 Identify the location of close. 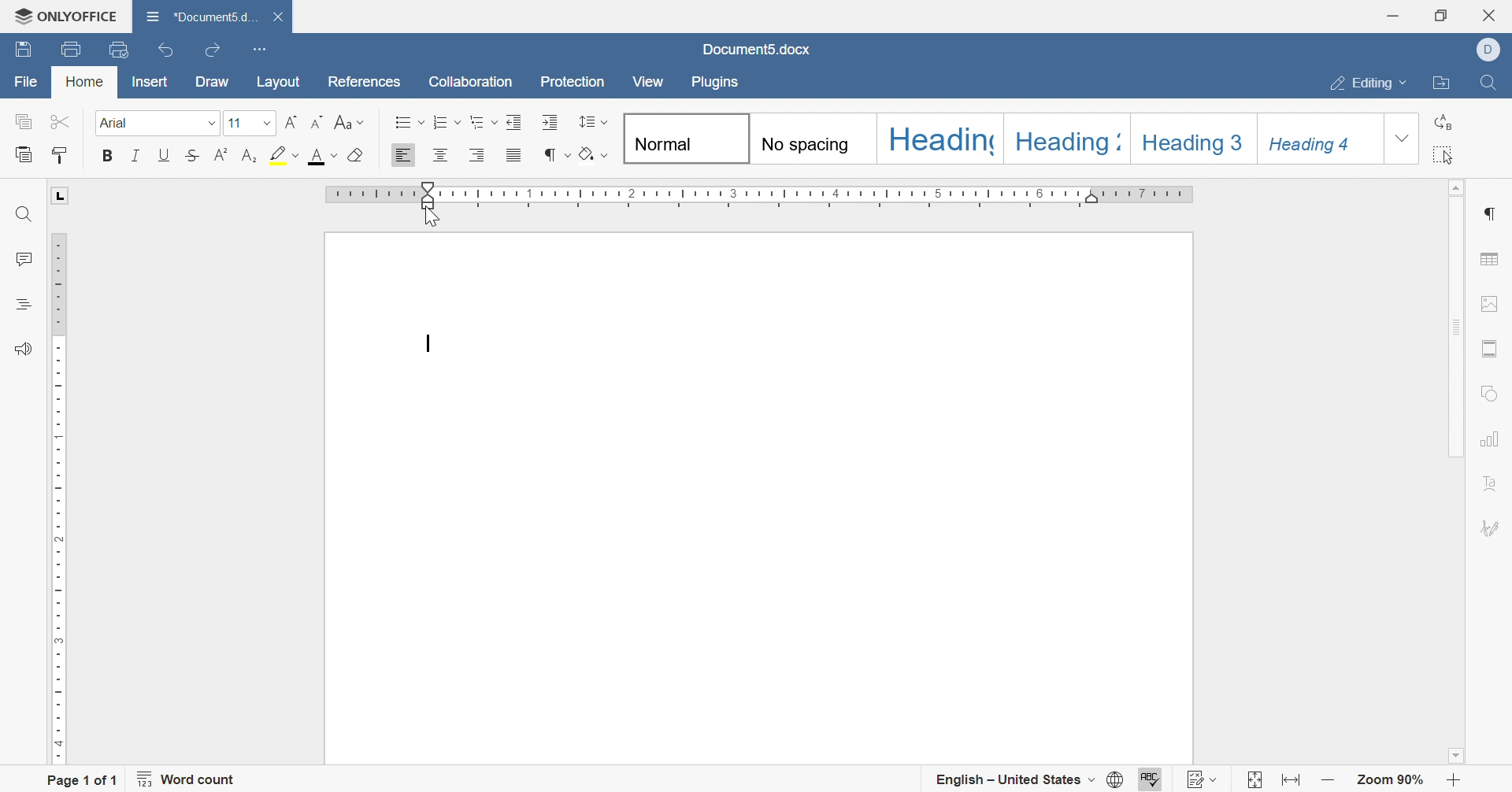
(276, 13).